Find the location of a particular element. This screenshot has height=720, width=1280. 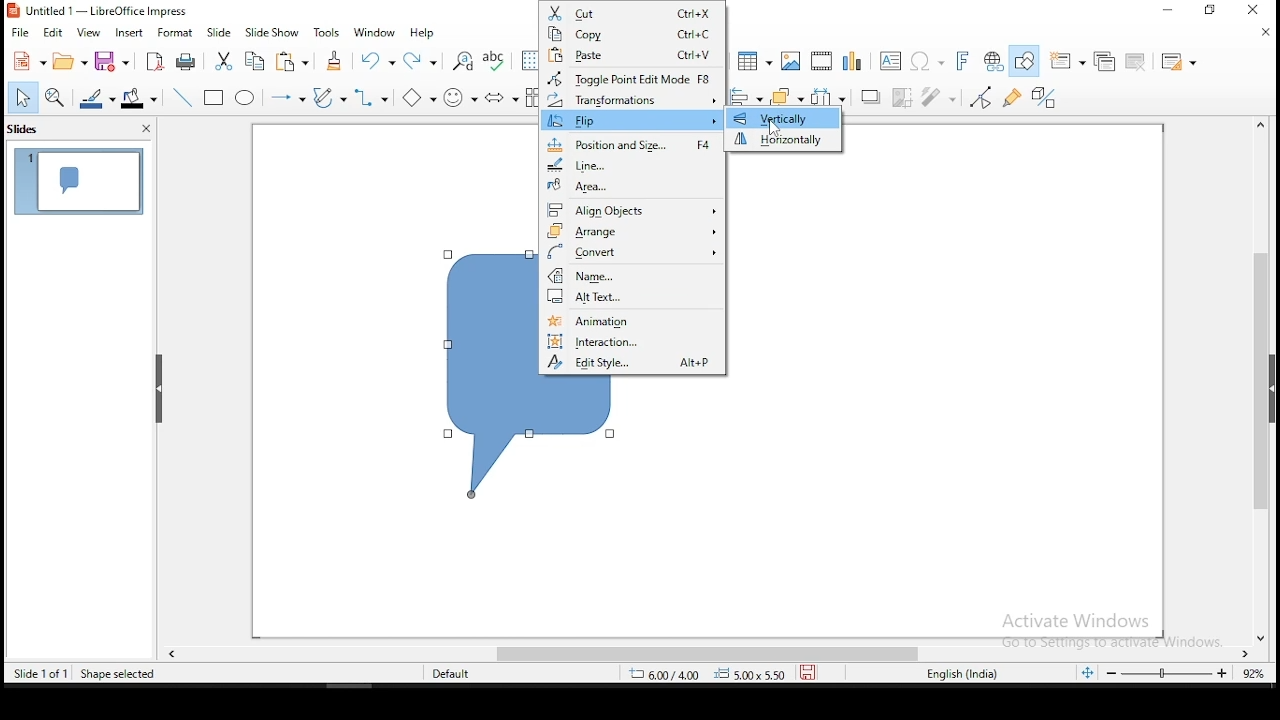

scroll bar is located at coordinates (1259, 378).